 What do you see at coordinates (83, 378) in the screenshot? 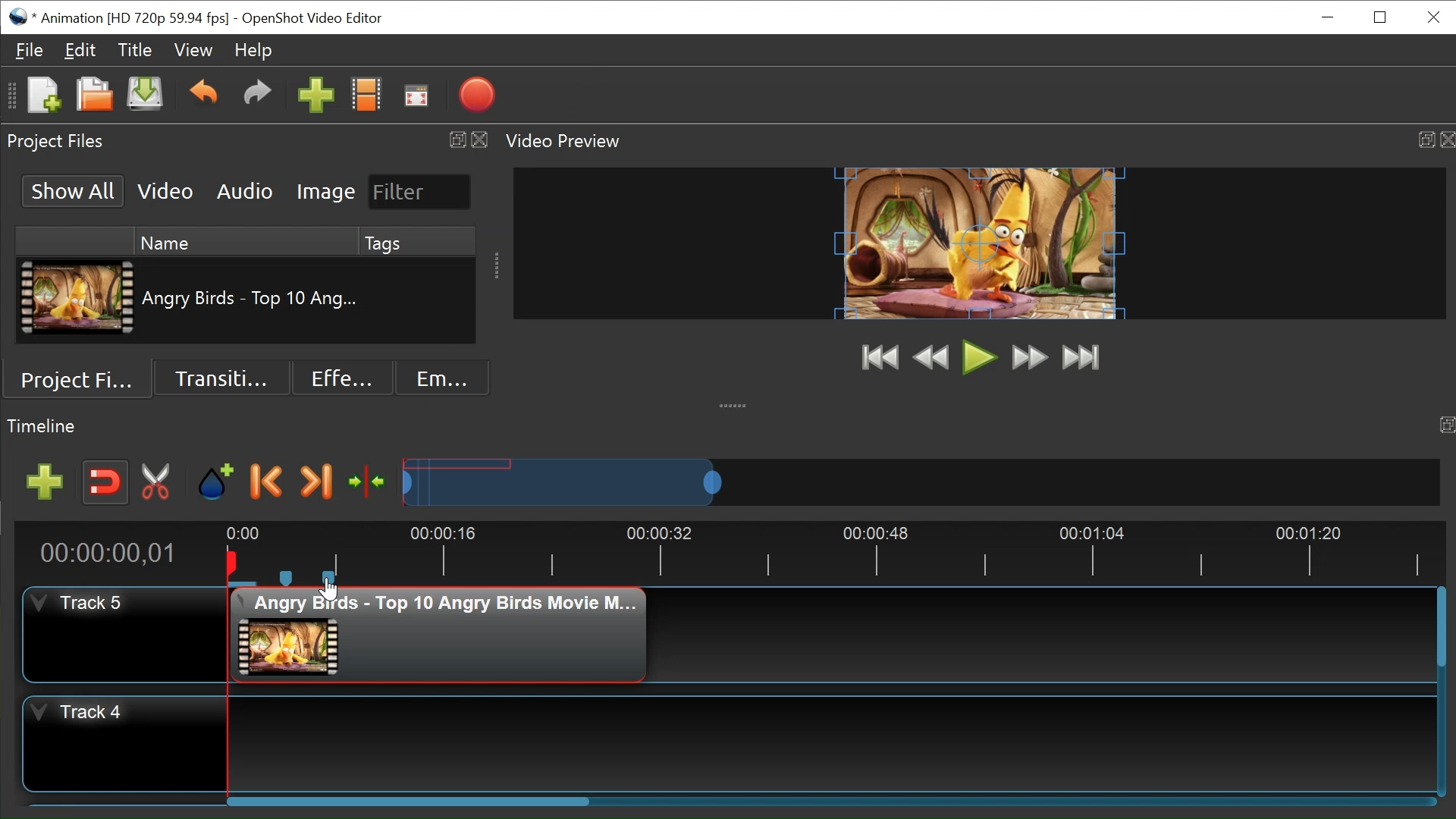
I see `Project Files` at bounding box center [83, 378].